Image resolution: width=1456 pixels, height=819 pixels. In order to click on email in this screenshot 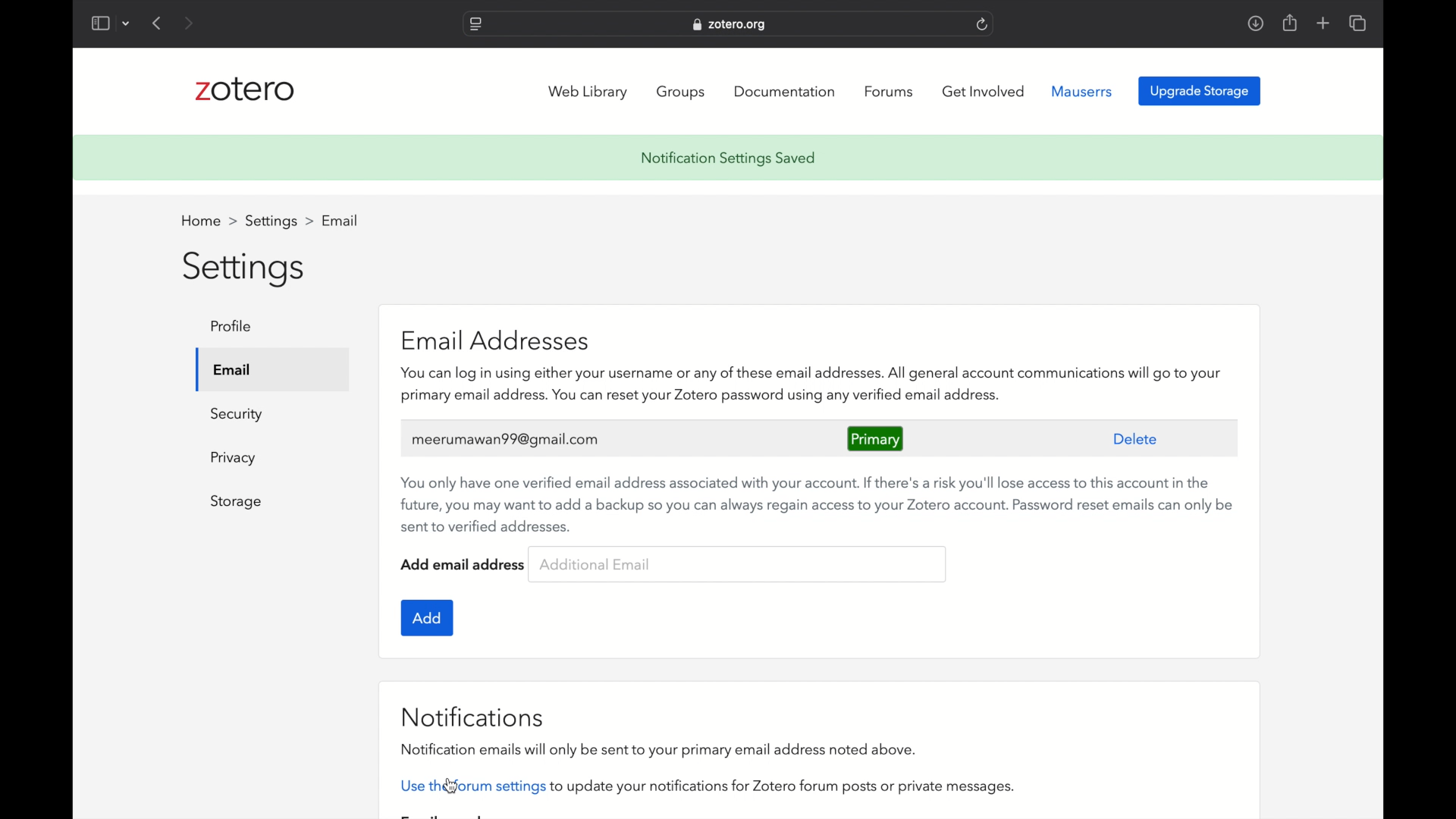, I will do `click(341, 219)`.